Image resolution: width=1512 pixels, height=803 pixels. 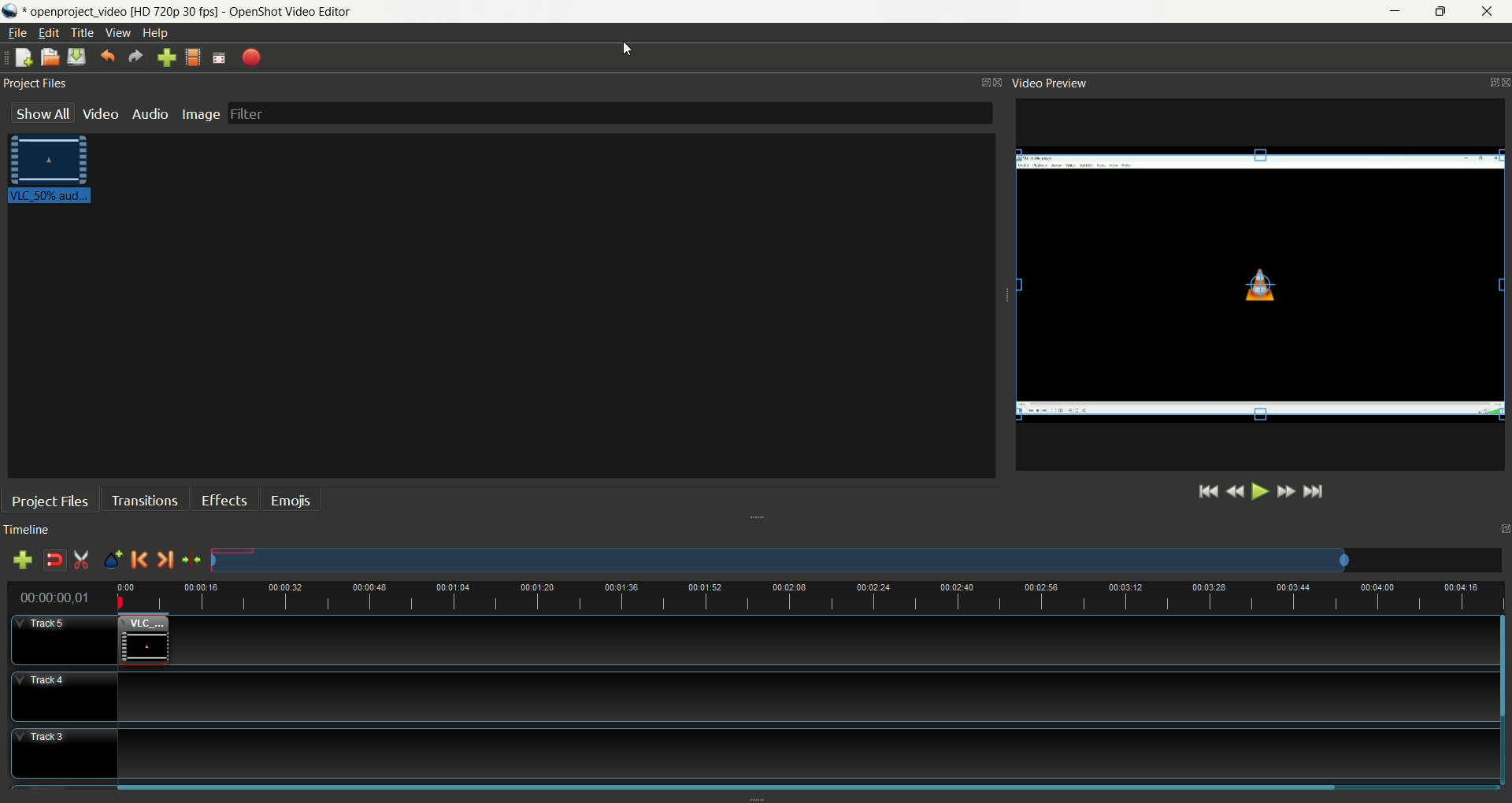 I want to click on play, so click(x=1259, y=492).